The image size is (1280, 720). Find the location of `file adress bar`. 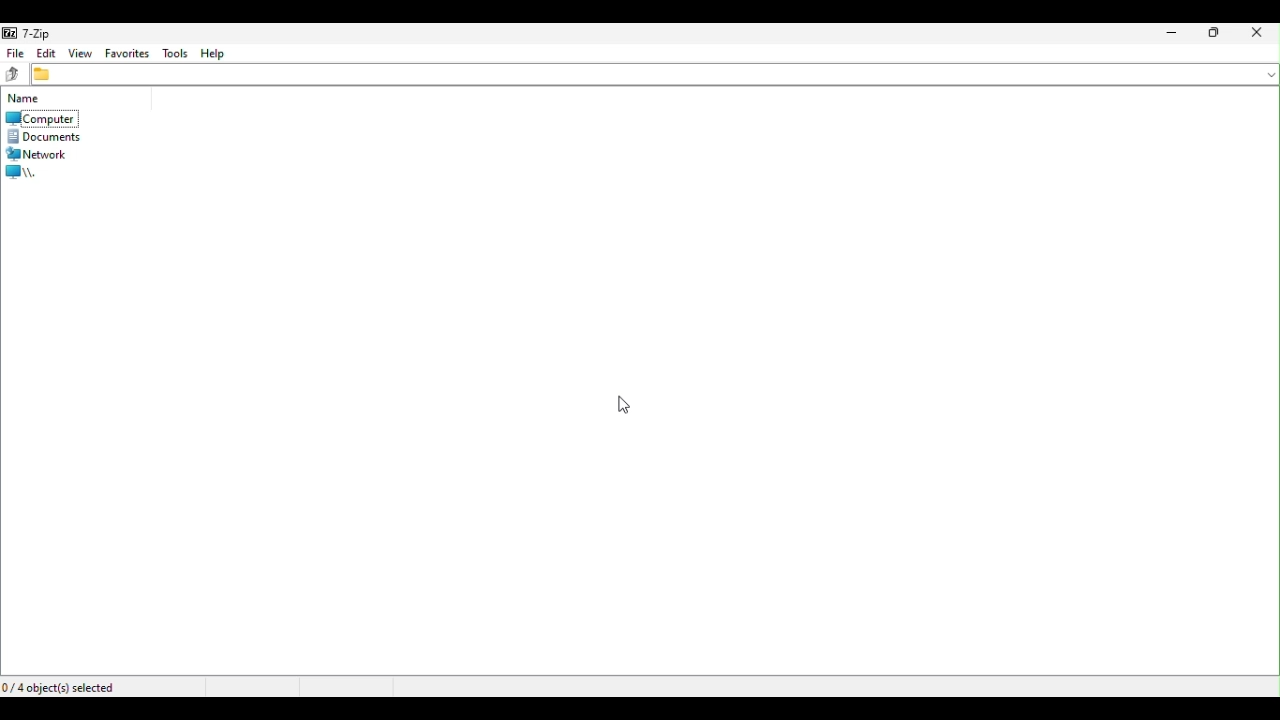

file adress bar is located at coordinates (655, 75).